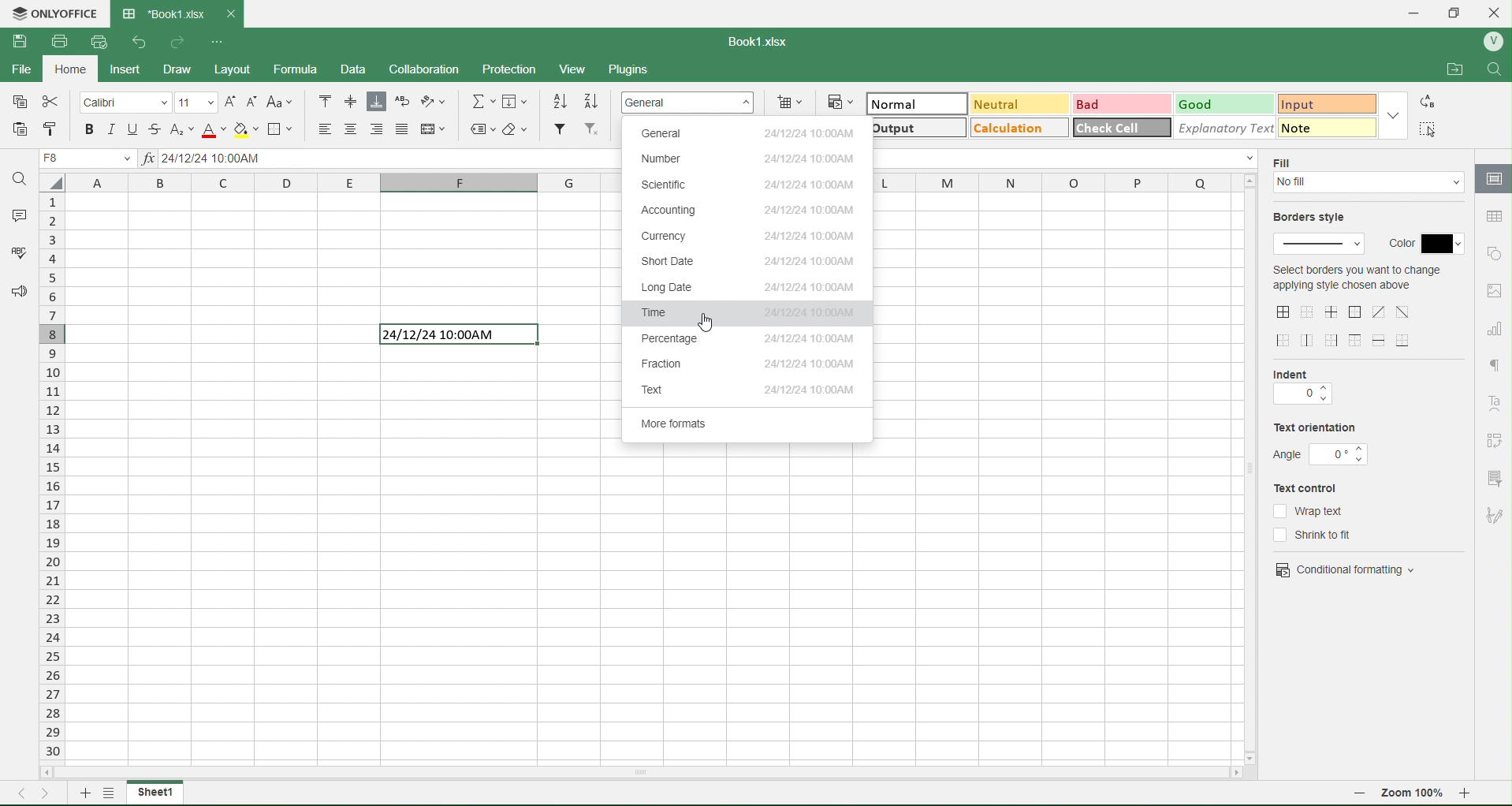  I want to click on Comments, so click(17, 213).